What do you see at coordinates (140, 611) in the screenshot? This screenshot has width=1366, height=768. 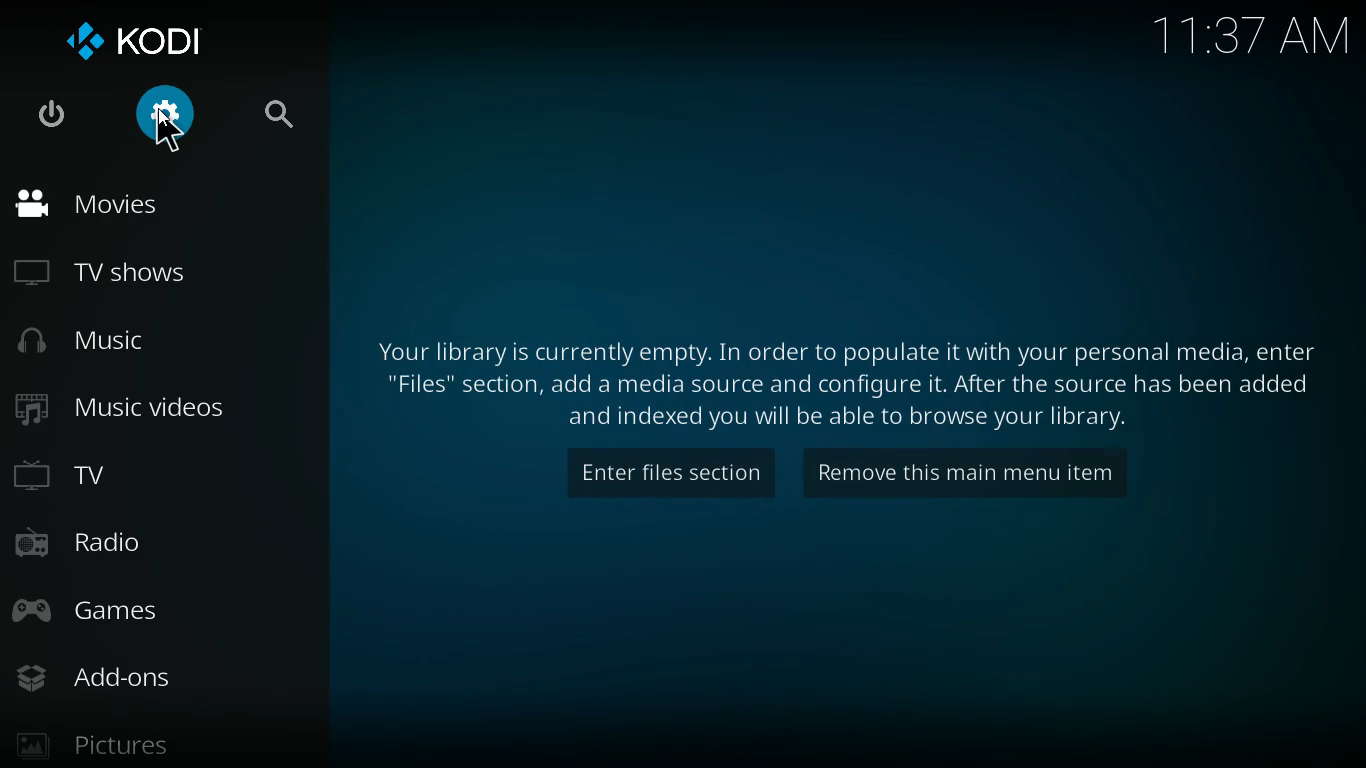 I see `games` at bounding box center [140, 611].